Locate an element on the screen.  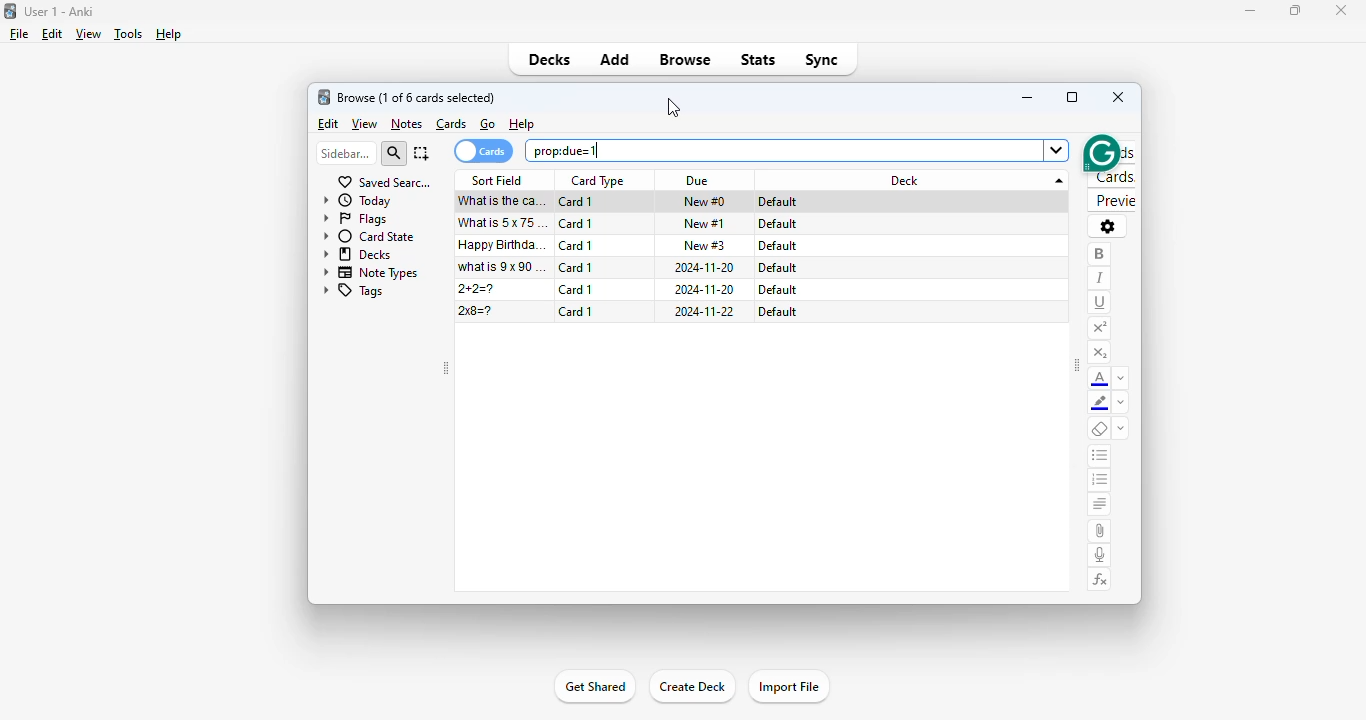
flags is located at coordinates (356, 219).